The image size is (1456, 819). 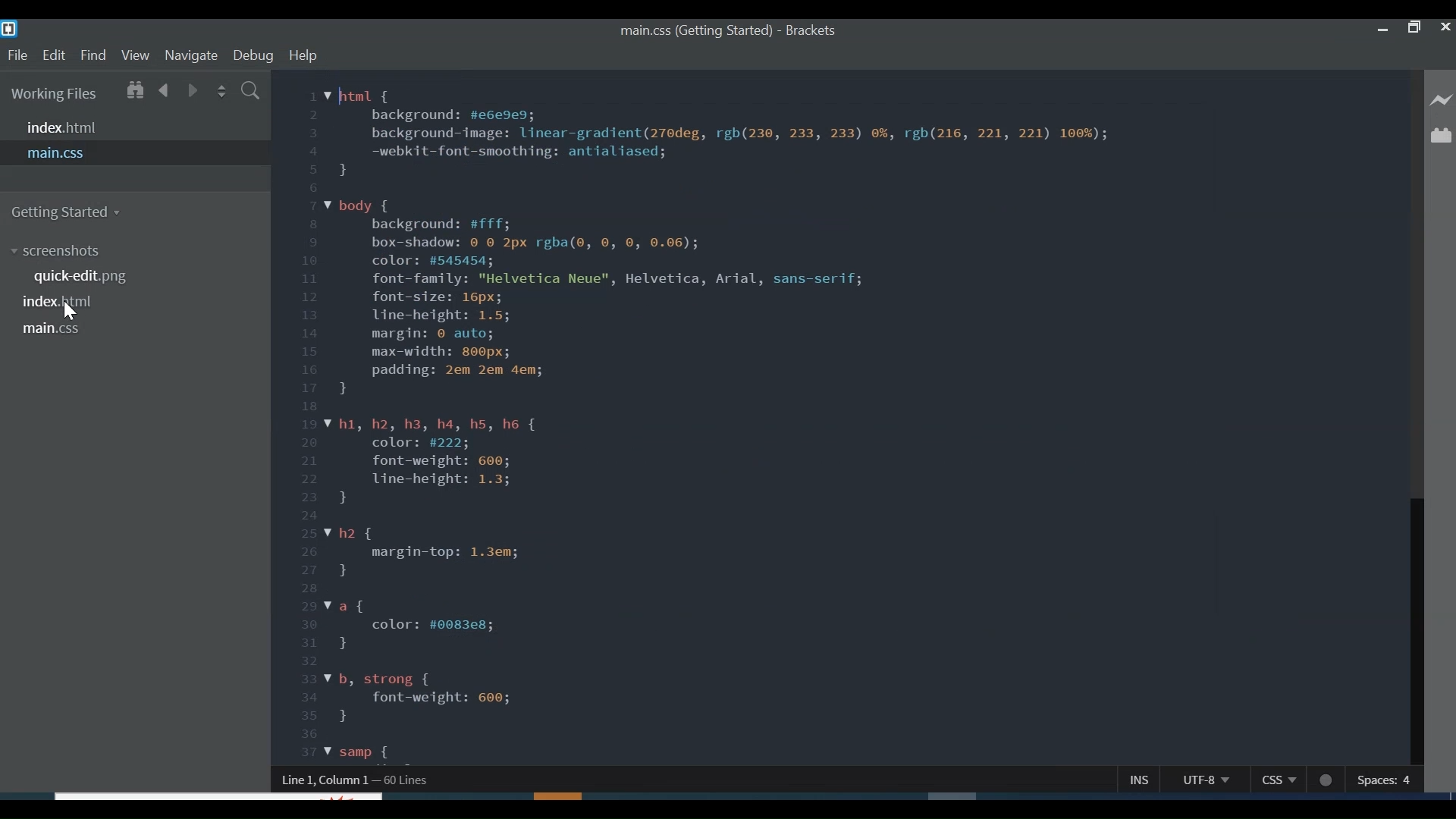 I want to click on File Encoding, so click(x=1197, y=780).